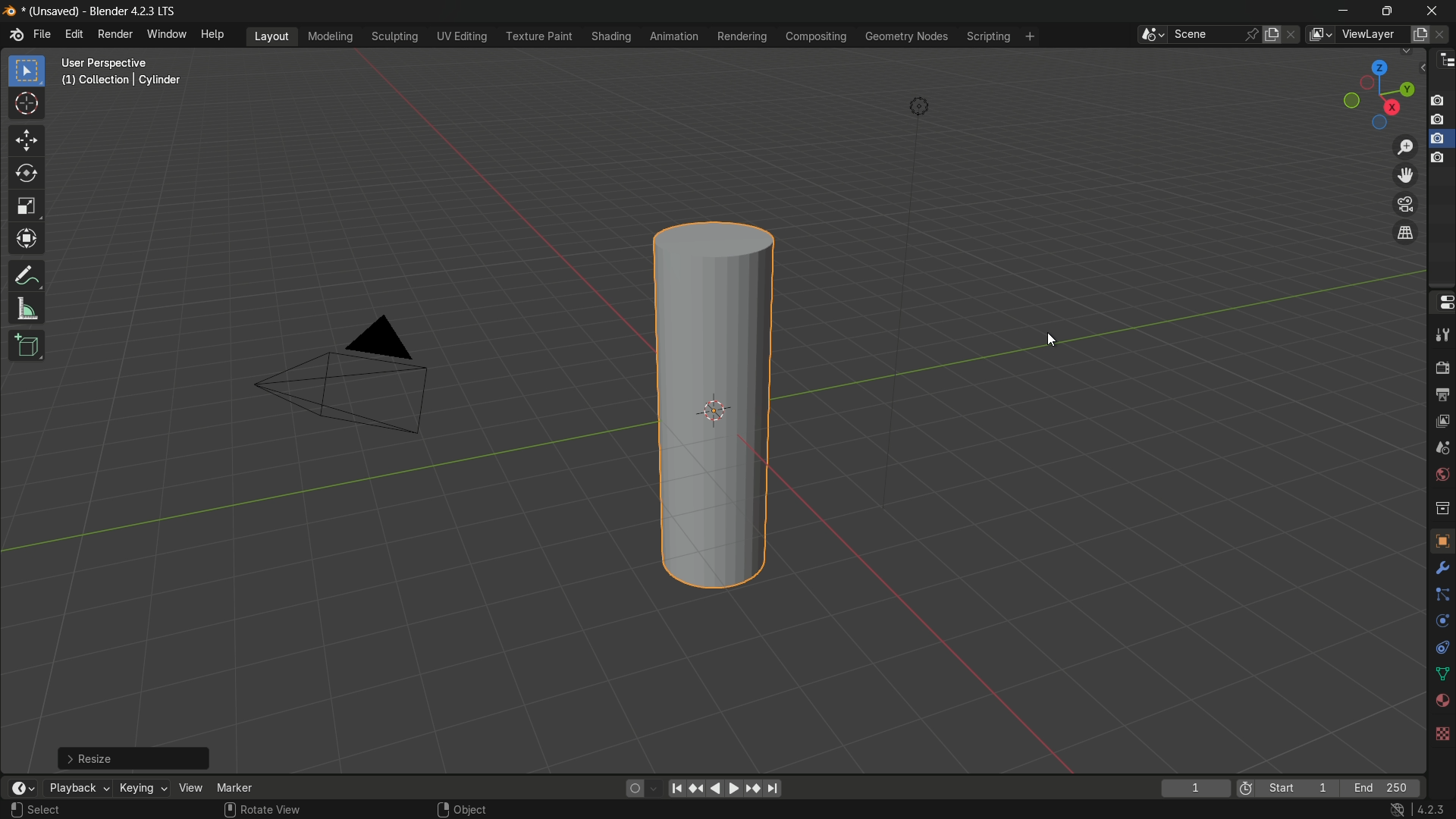 The height and width of the screenshot is (819, 1456). What do you see at coordinates (355, 372) in the screenshot?
I see `camera` at bounding box center [355, 372].